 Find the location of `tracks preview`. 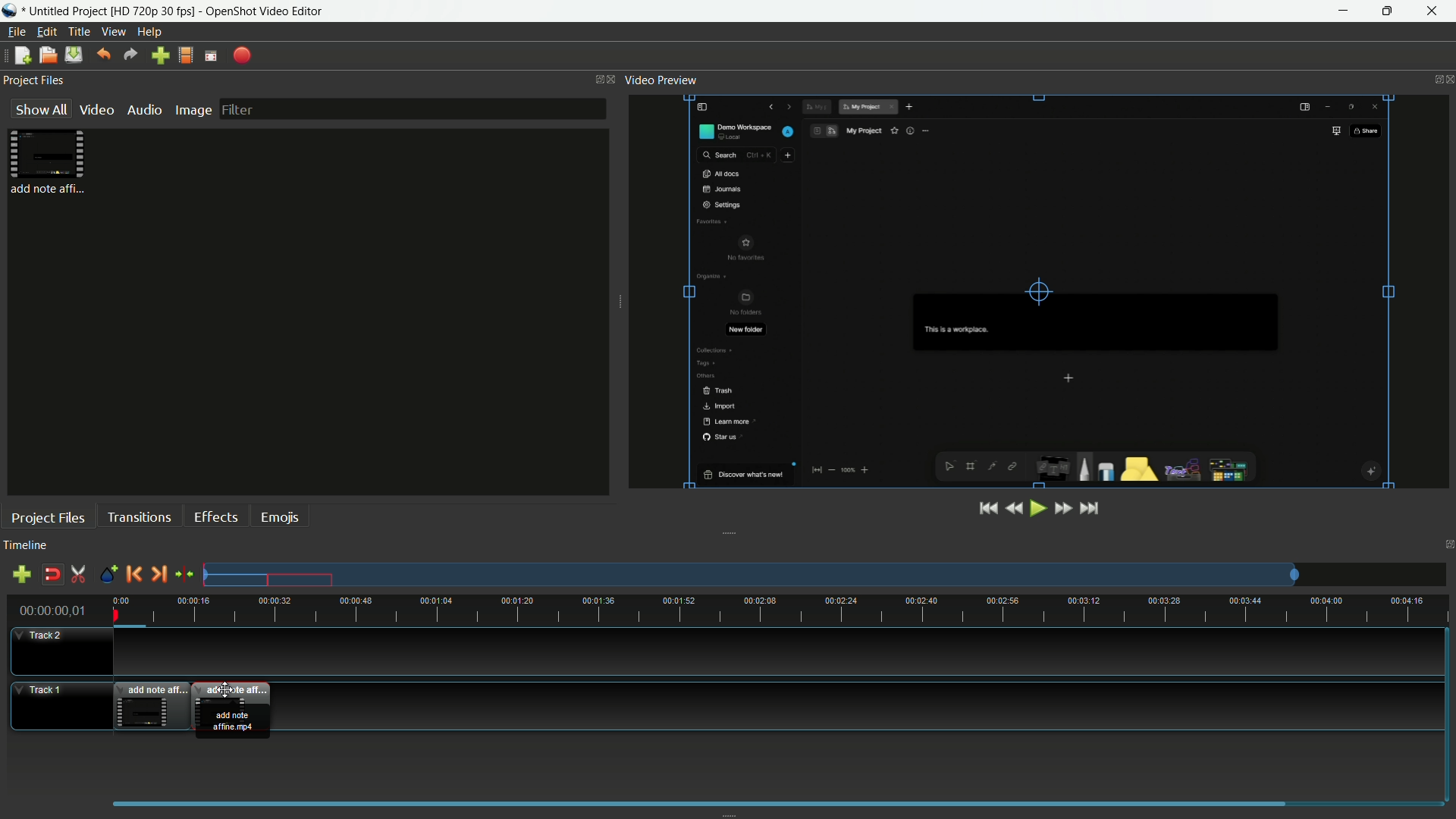

tracks preview is located at coordinates (750, 575).